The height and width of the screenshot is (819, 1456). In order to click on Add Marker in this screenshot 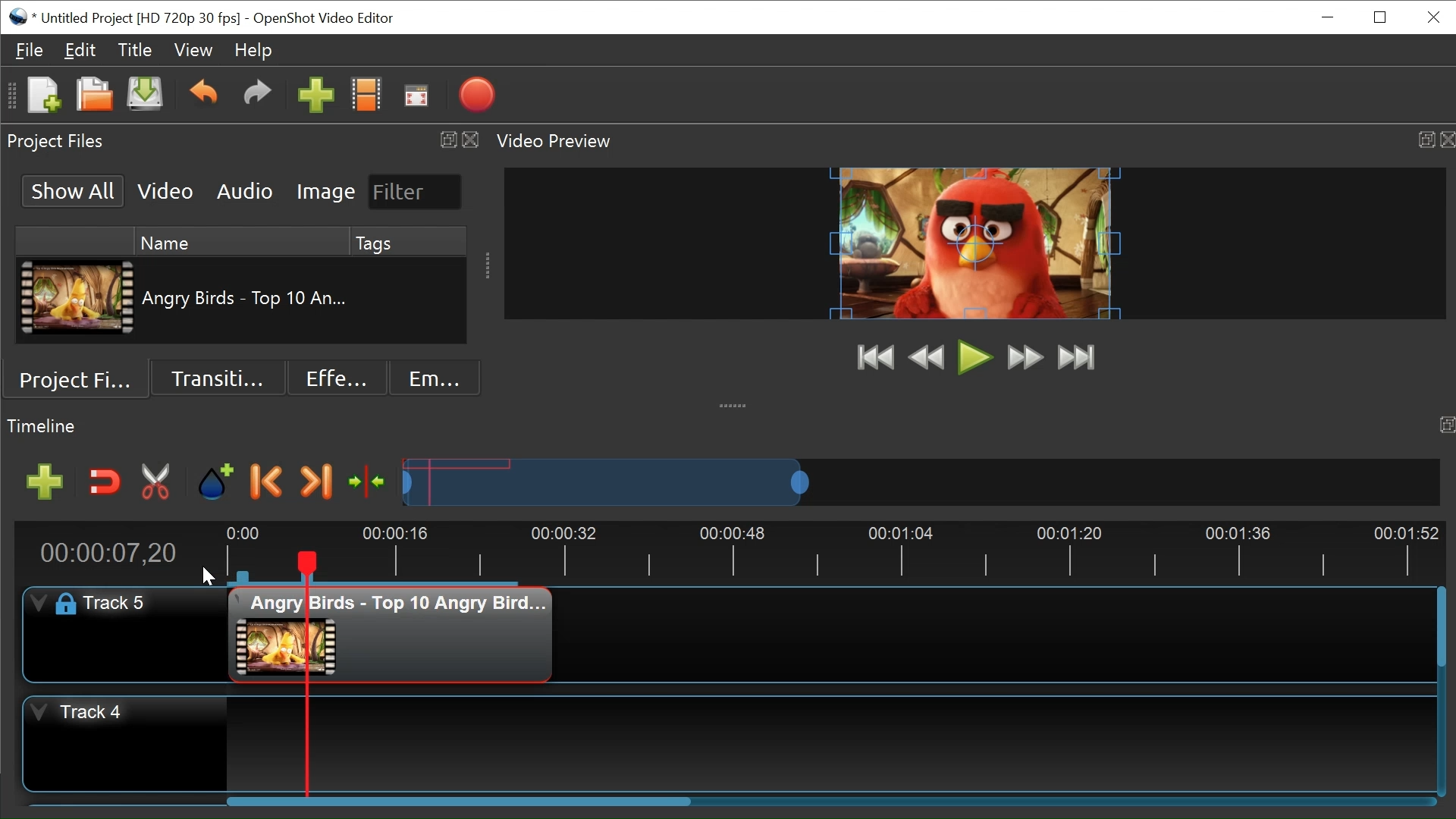, I will do `click(215, 482)`.